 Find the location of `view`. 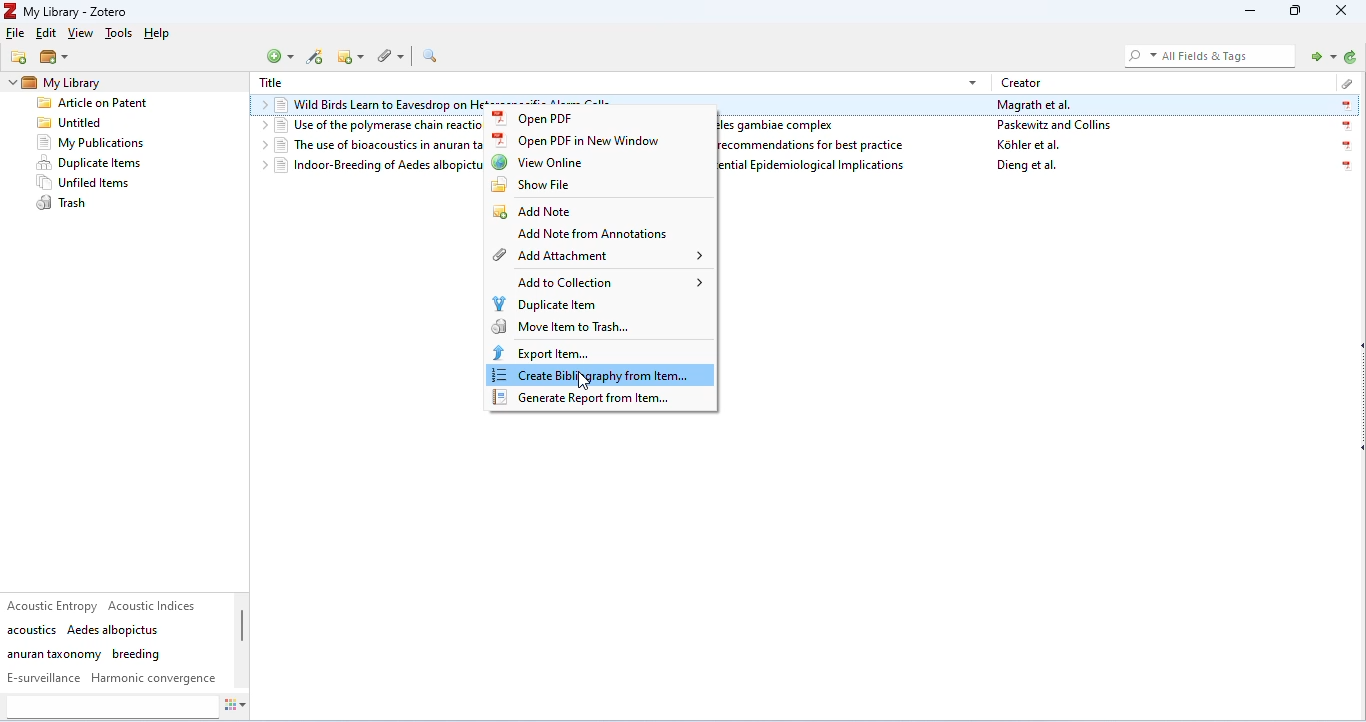

view is located at coordinates (83, 35).